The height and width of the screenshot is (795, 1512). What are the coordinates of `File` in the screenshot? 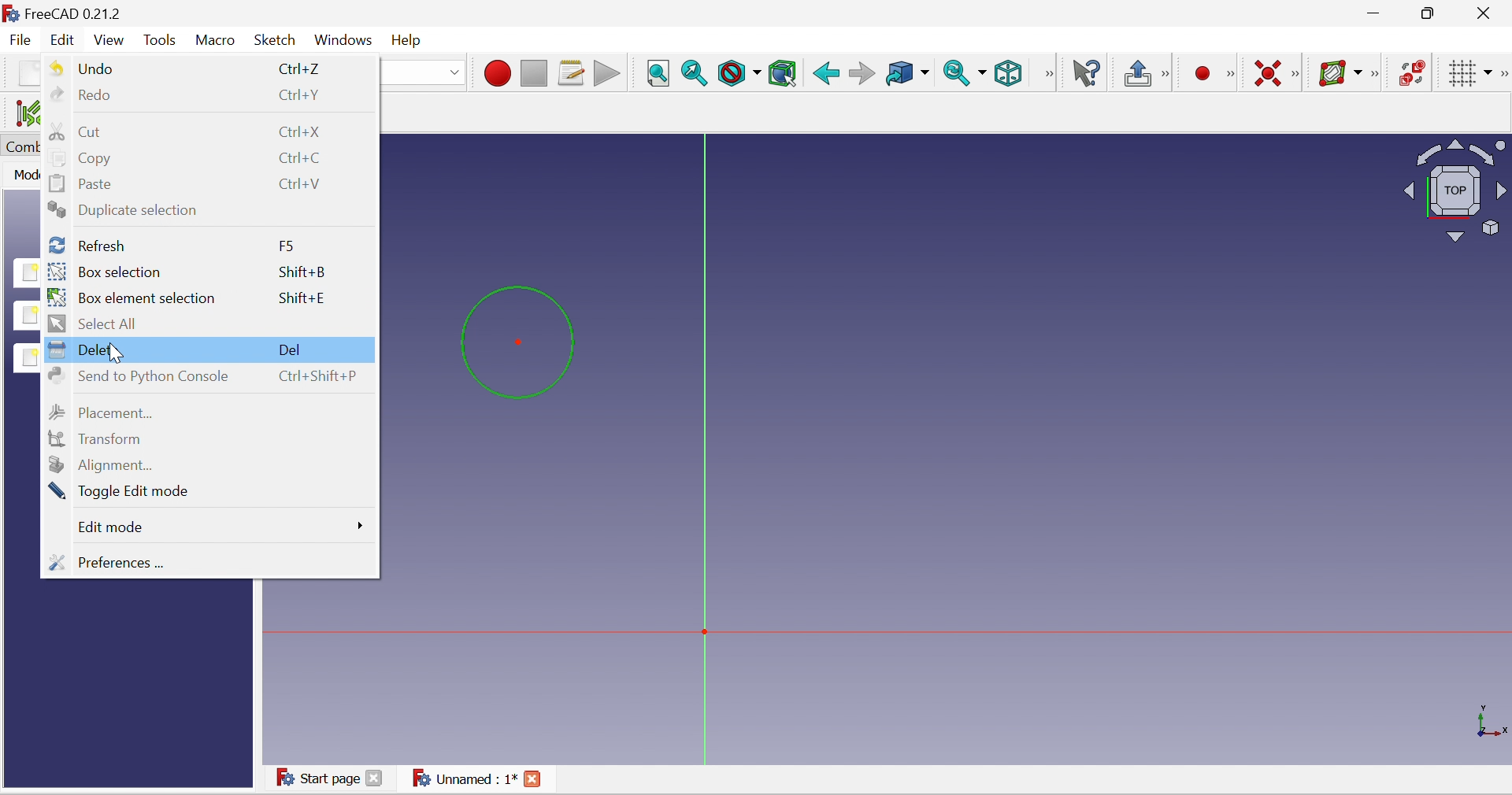 It's located at (22, 39).